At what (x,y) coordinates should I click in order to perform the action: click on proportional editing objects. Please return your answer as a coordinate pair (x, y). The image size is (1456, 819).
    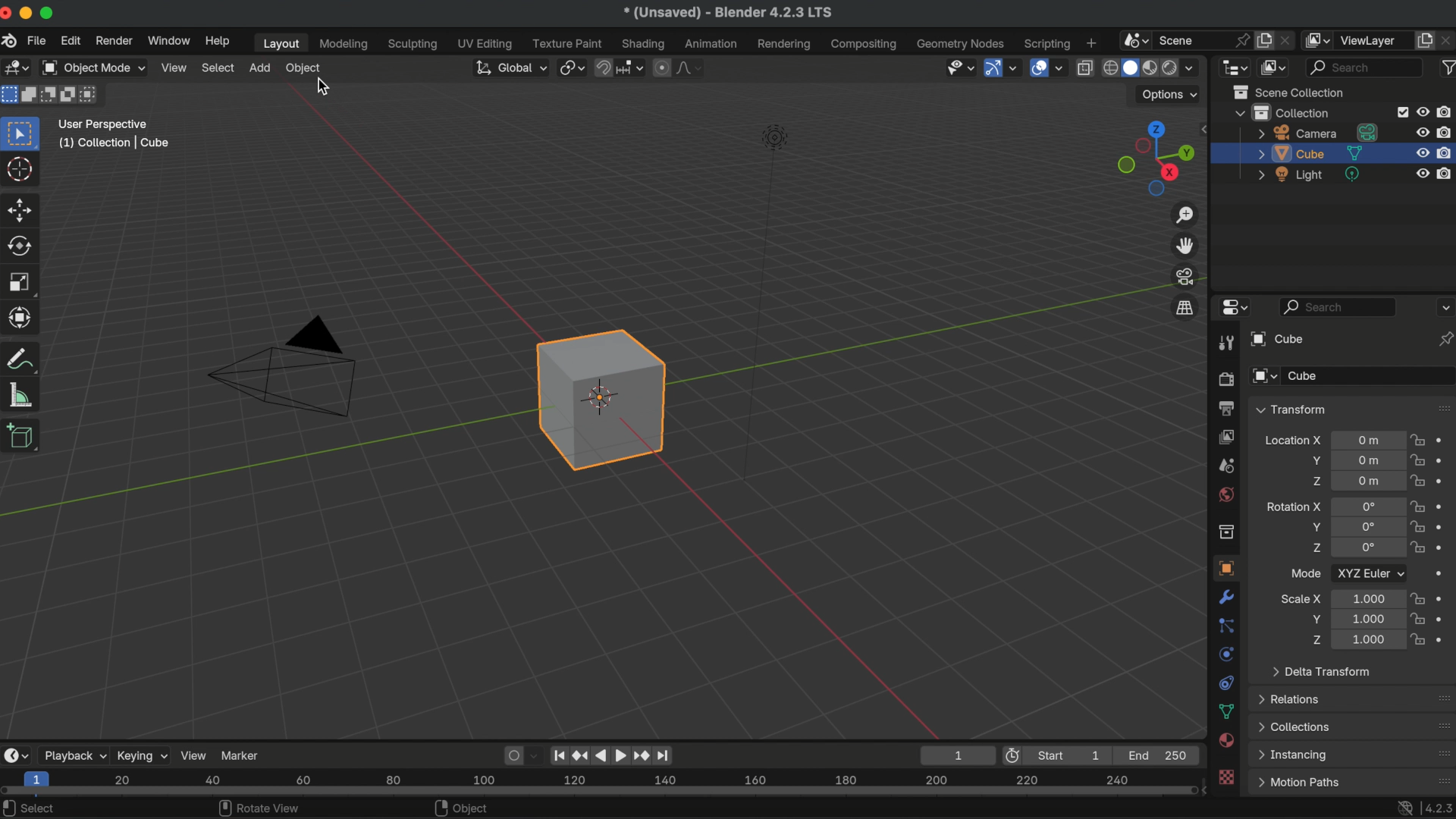
    Looking at the image, I should click on (663, 67).